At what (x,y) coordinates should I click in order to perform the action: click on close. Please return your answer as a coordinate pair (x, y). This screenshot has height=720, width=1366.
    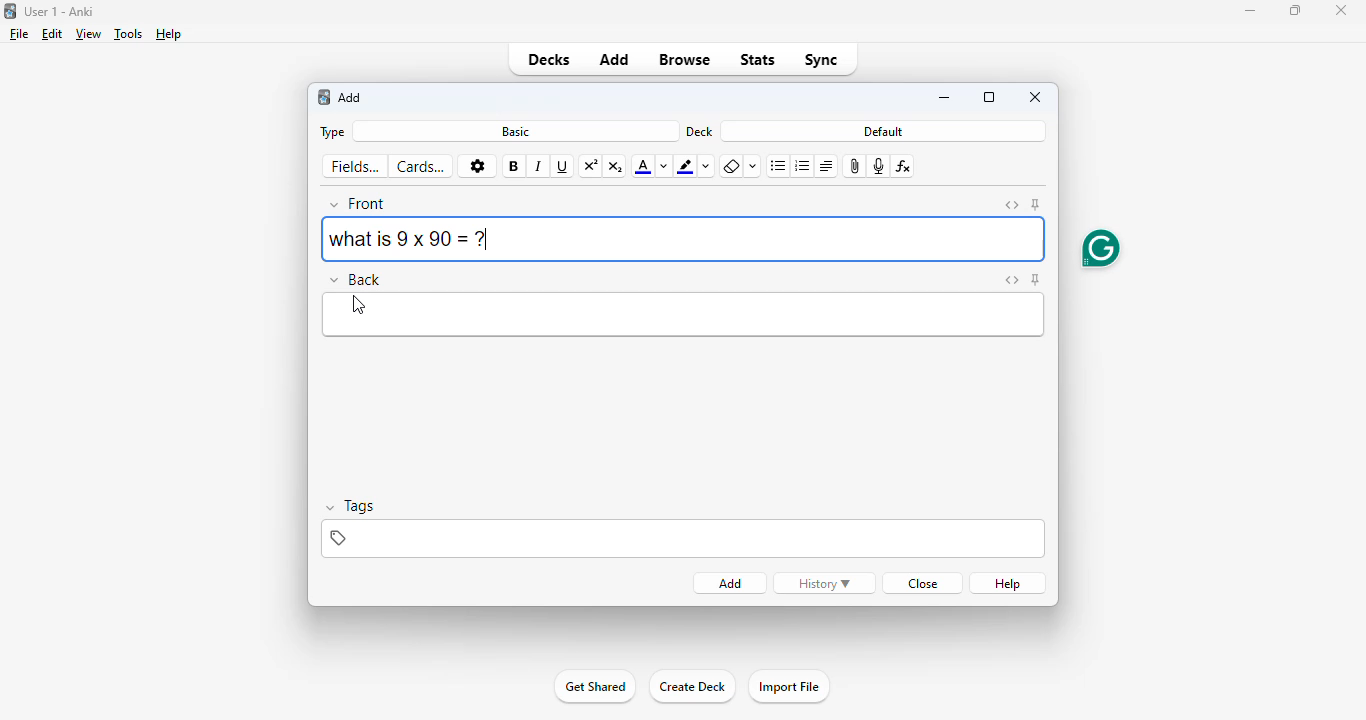
    Looking at the image, I should click on (1036, 96).